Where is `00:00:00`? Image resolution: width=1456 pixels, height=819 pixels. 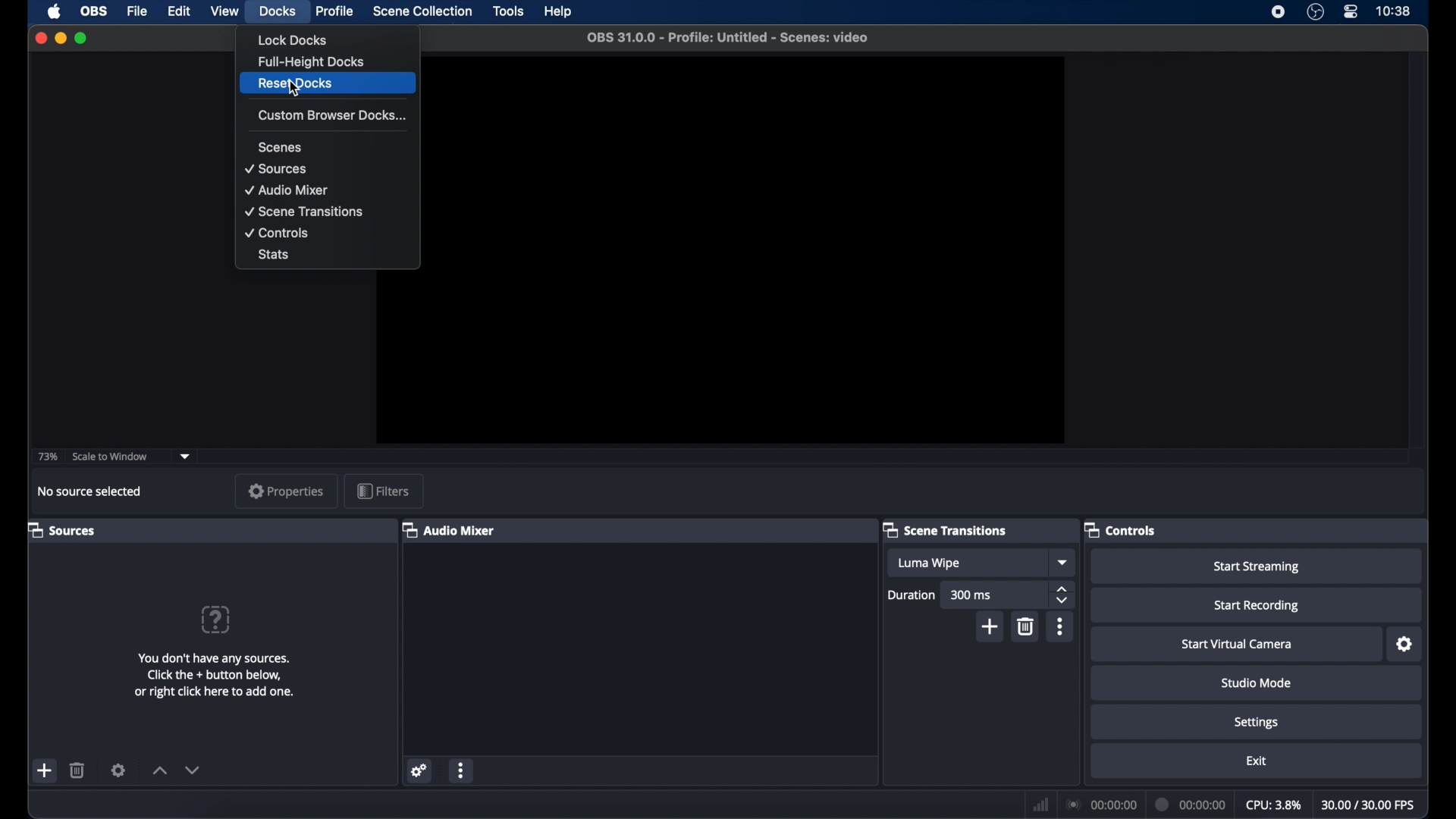 00:00:00 is located at coordinates (1103, 805).